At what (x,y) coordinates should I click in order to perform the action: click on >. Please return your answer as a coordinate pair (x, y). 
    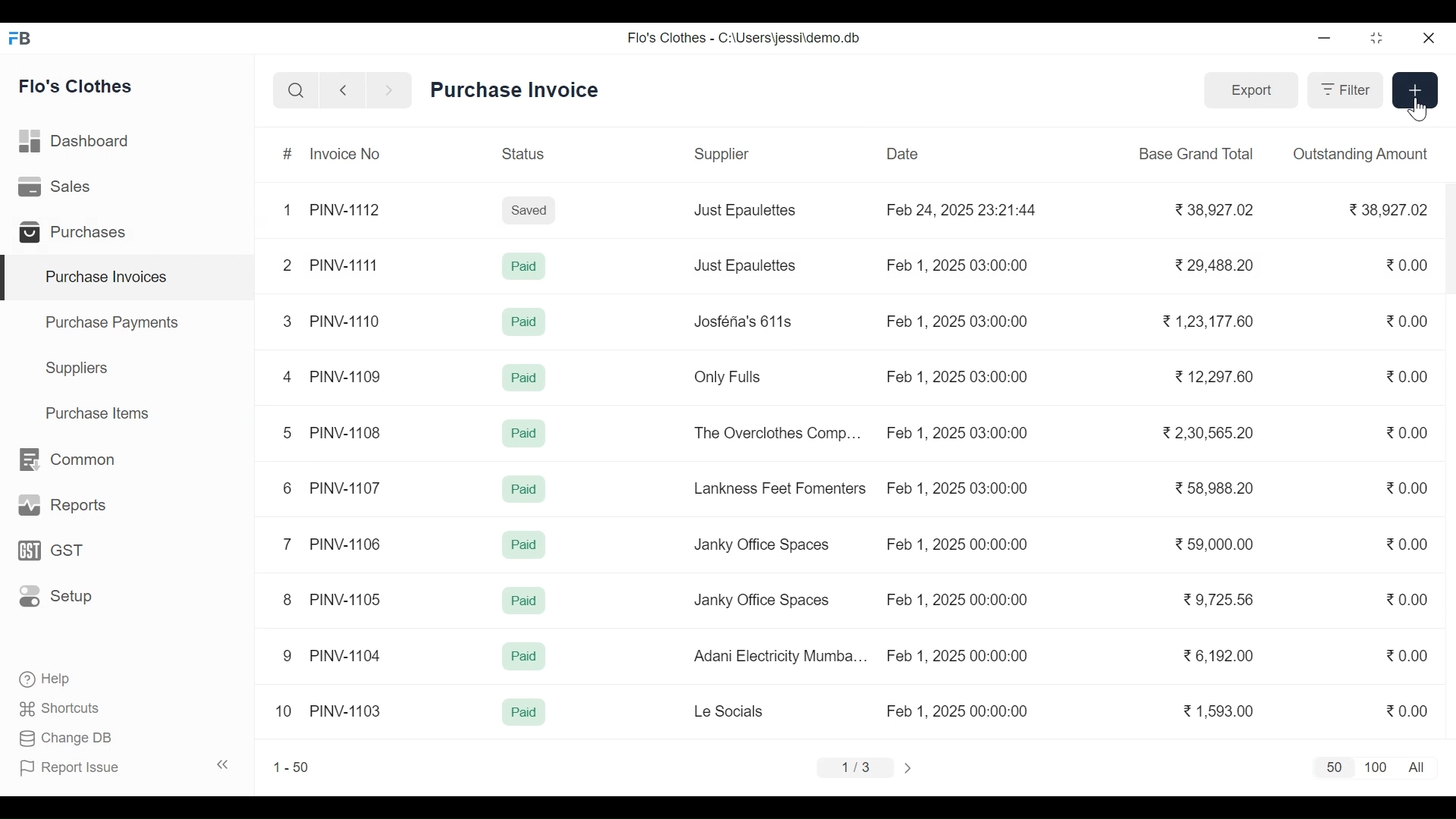
    Looking at the image, I should click on (908, 769).